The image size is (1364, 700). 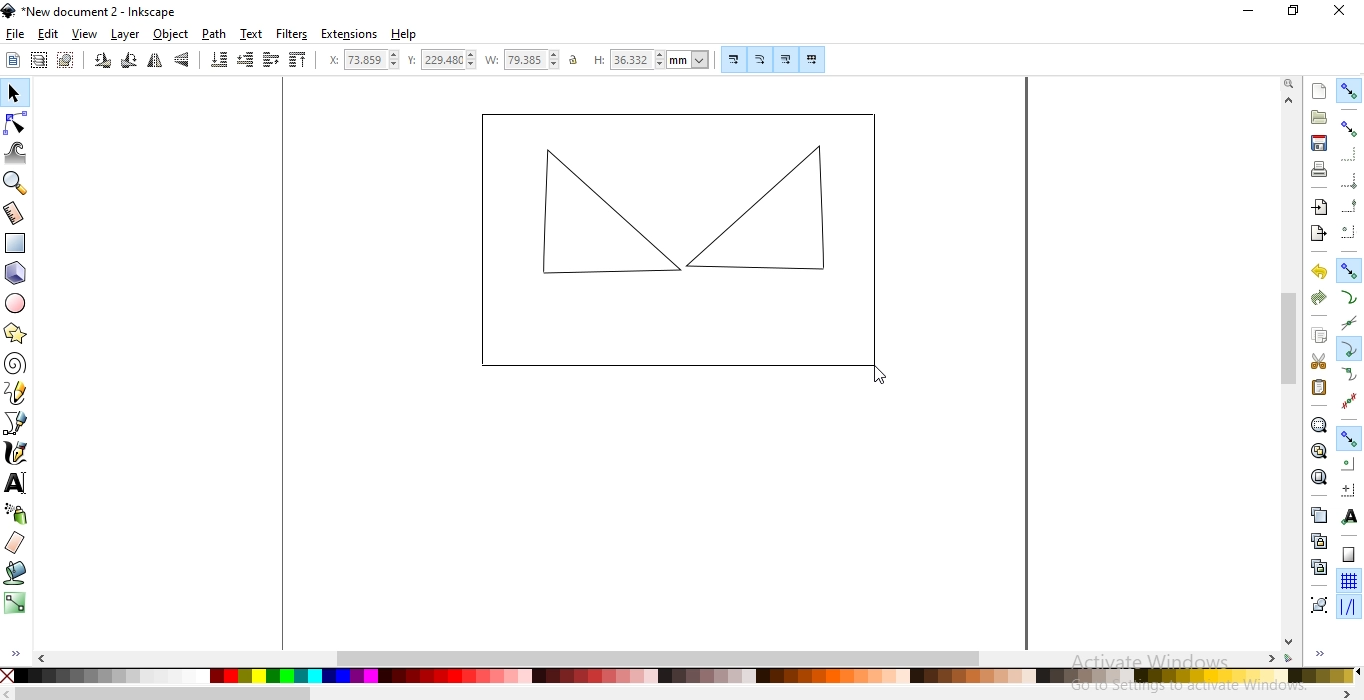 I want to click on width of selection, so click(x=525, y=59).